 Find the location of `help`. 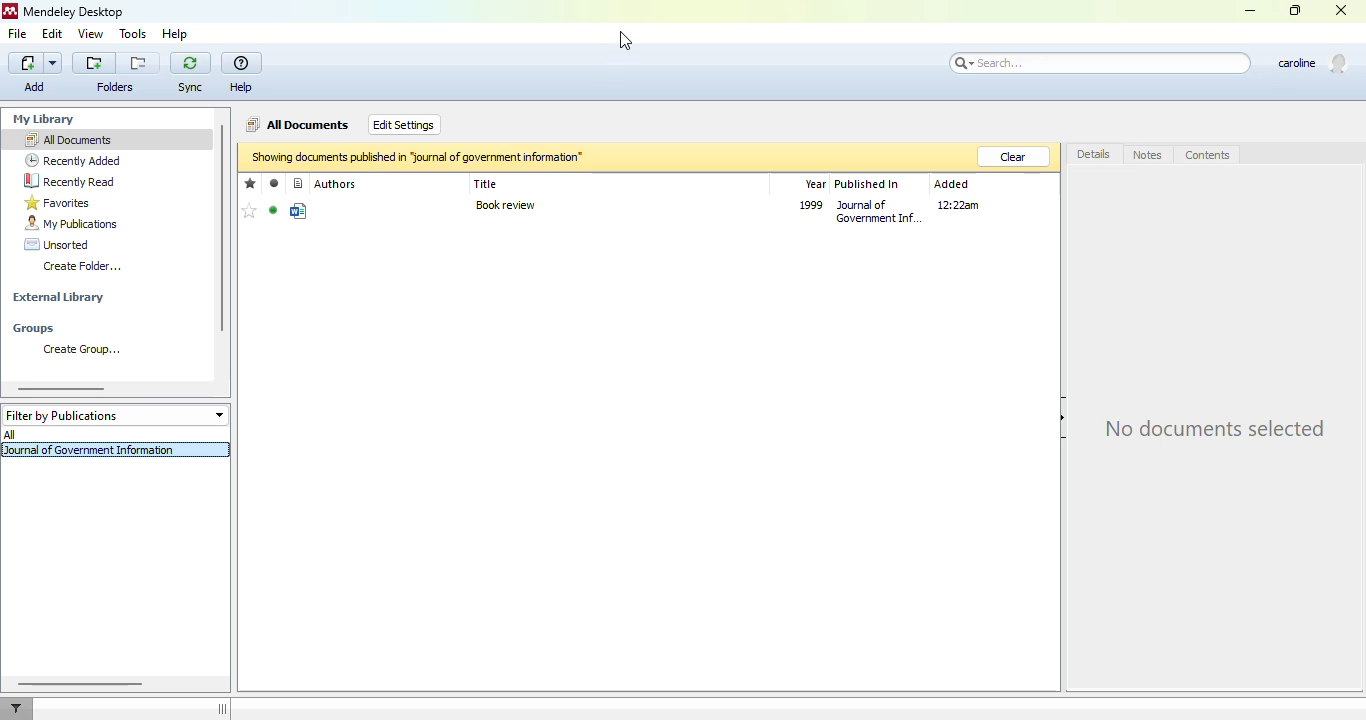

help is located at coordinates (176, 34).